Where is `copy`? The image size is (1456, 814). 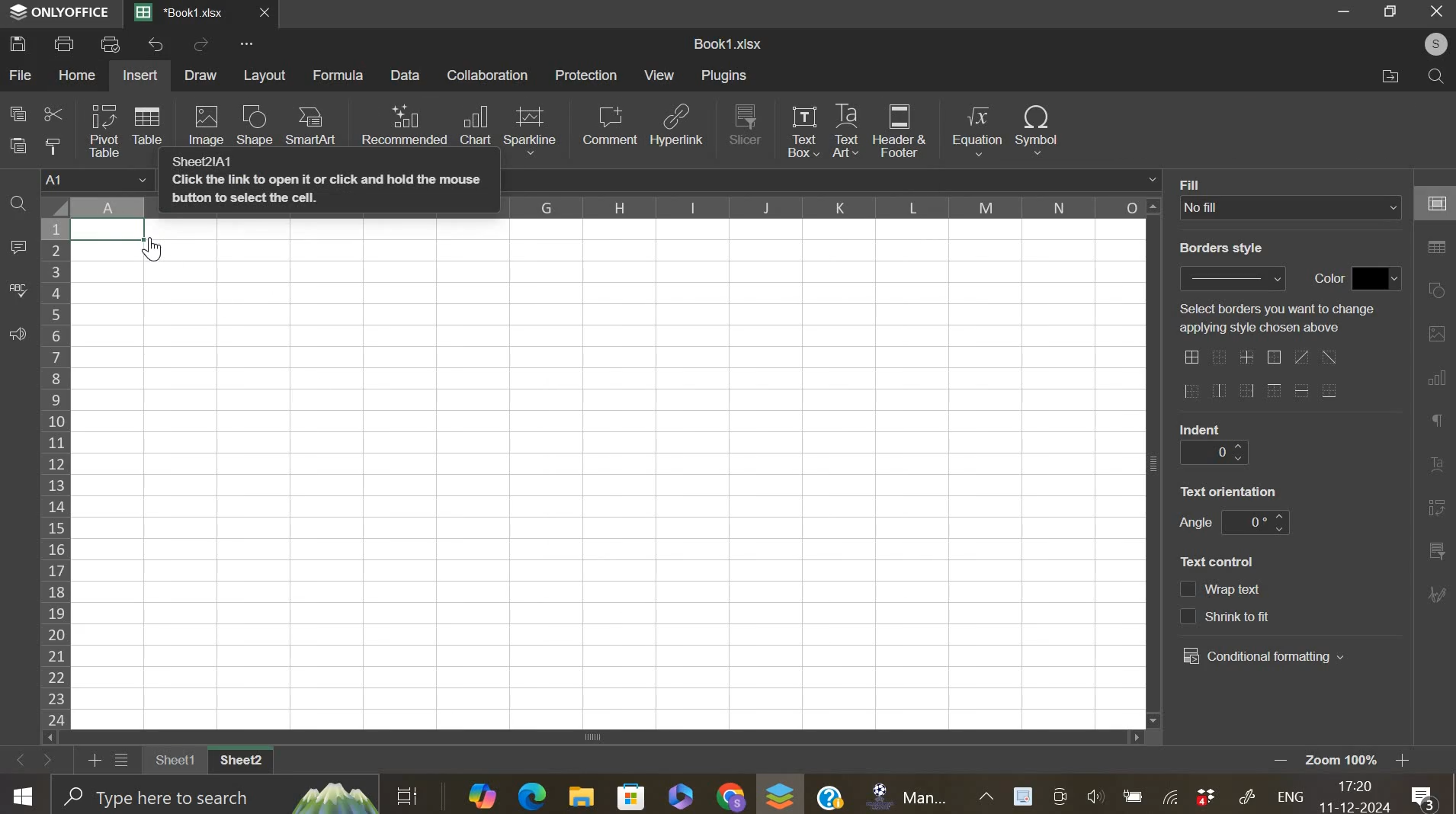
copy is located at coordinates (18, 113).